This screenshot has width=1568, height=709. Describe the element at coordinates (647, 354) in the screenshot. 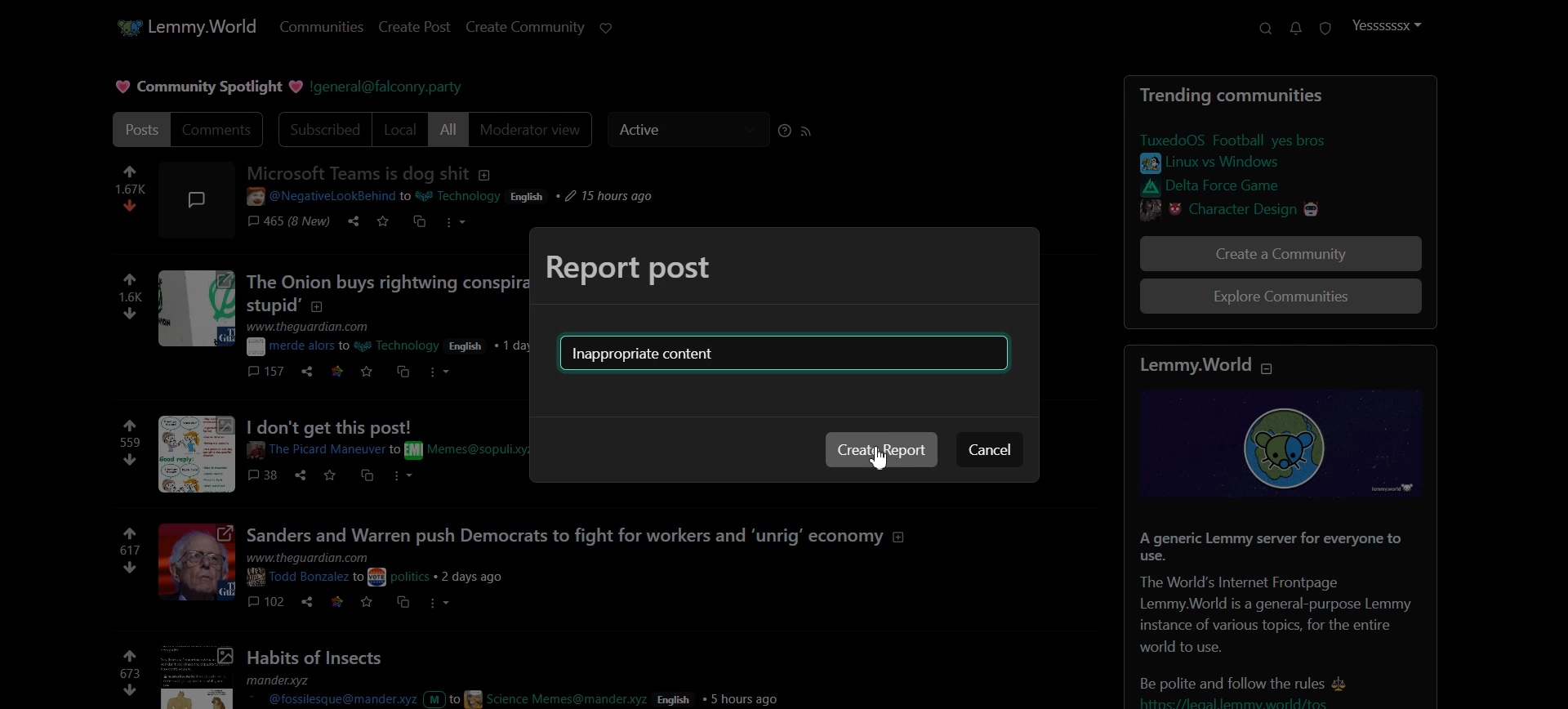

I see `Text` at that location.